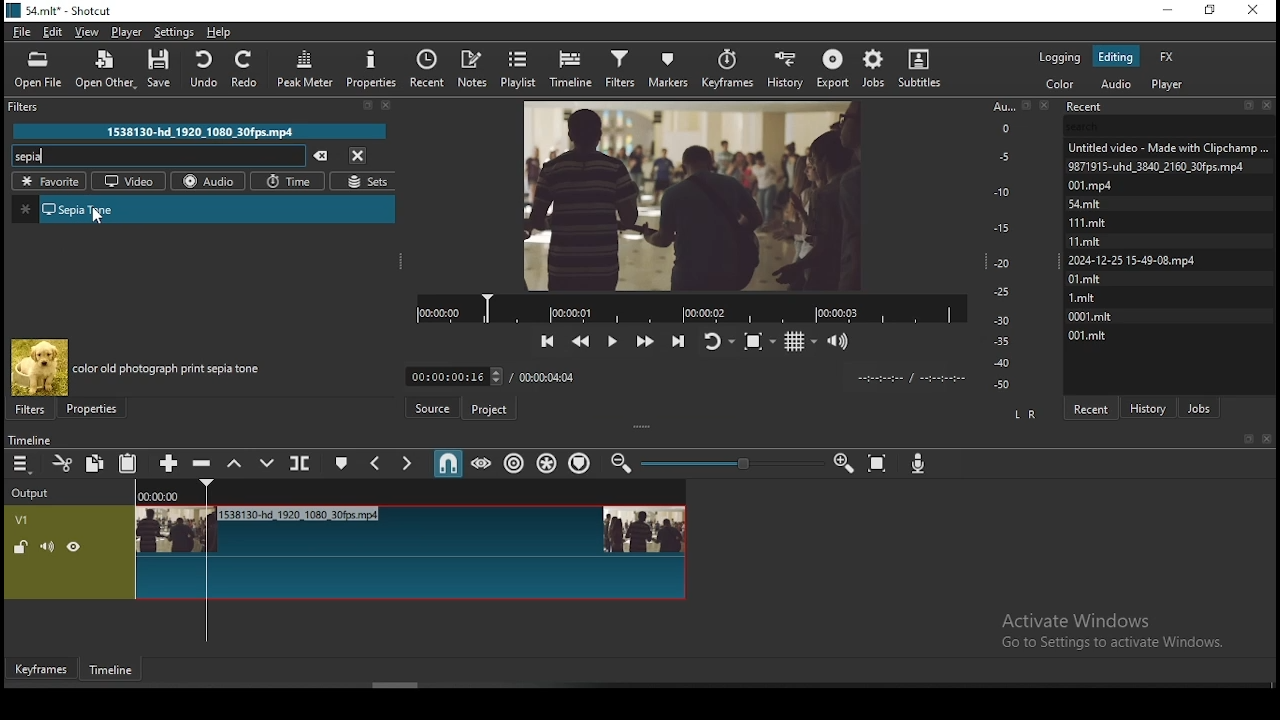 The image size is (1280, 720). What do you see at coordinates (1091, 314) in the screenshot?
I see `0001.mit` at bounding box center [1091, 314].